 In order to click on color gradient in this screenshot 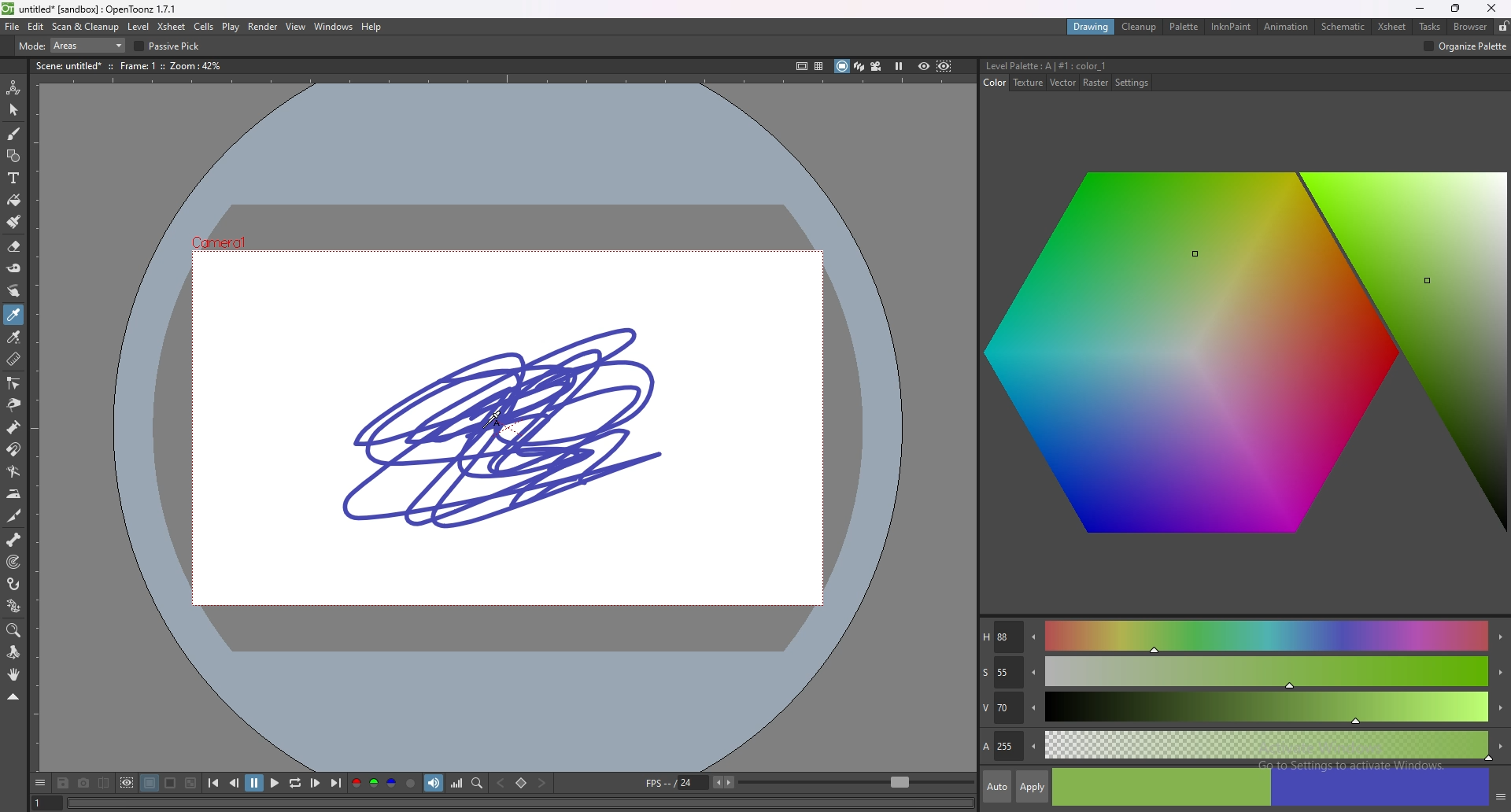, I will do `click(1249, 359)`.